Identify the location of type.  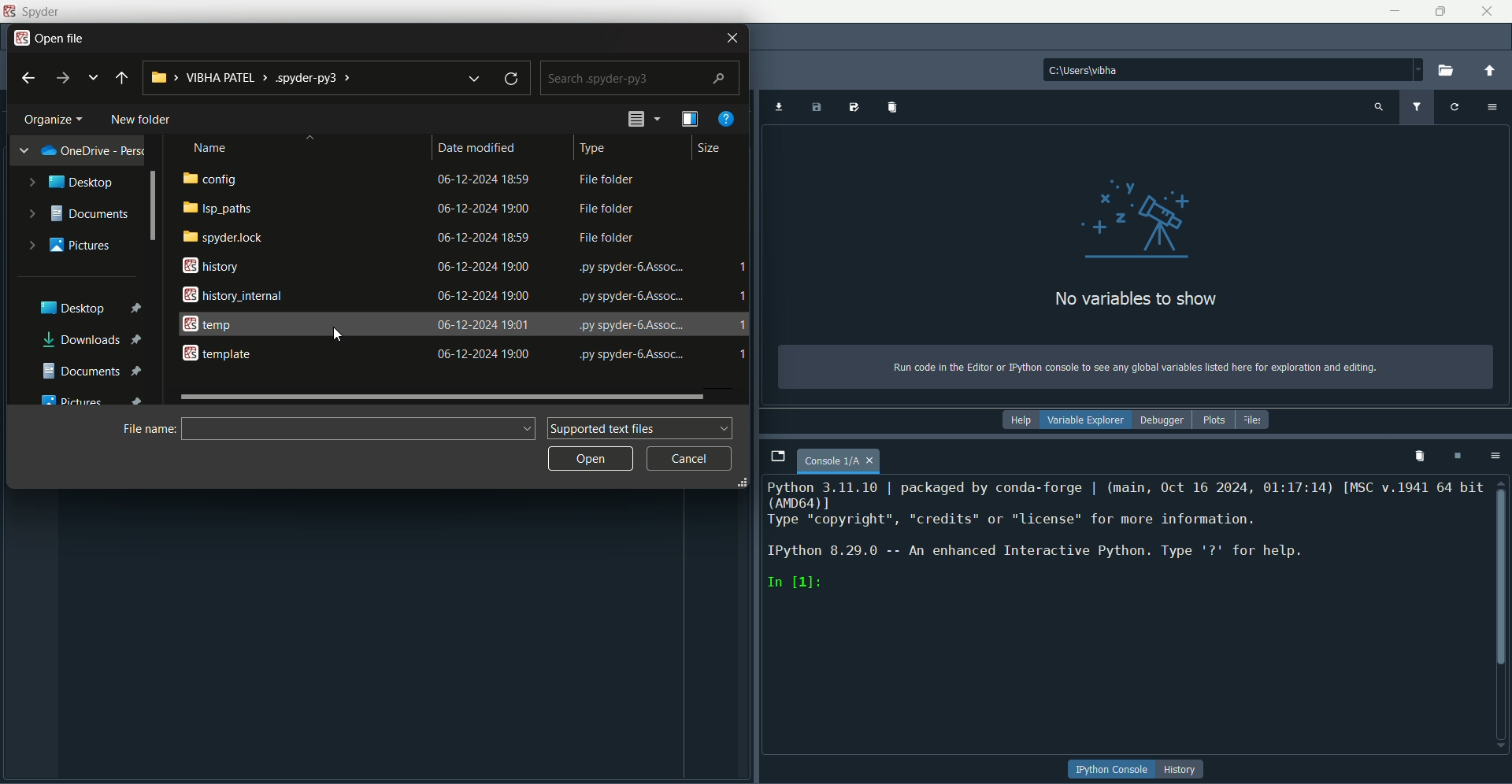
(592, 149).